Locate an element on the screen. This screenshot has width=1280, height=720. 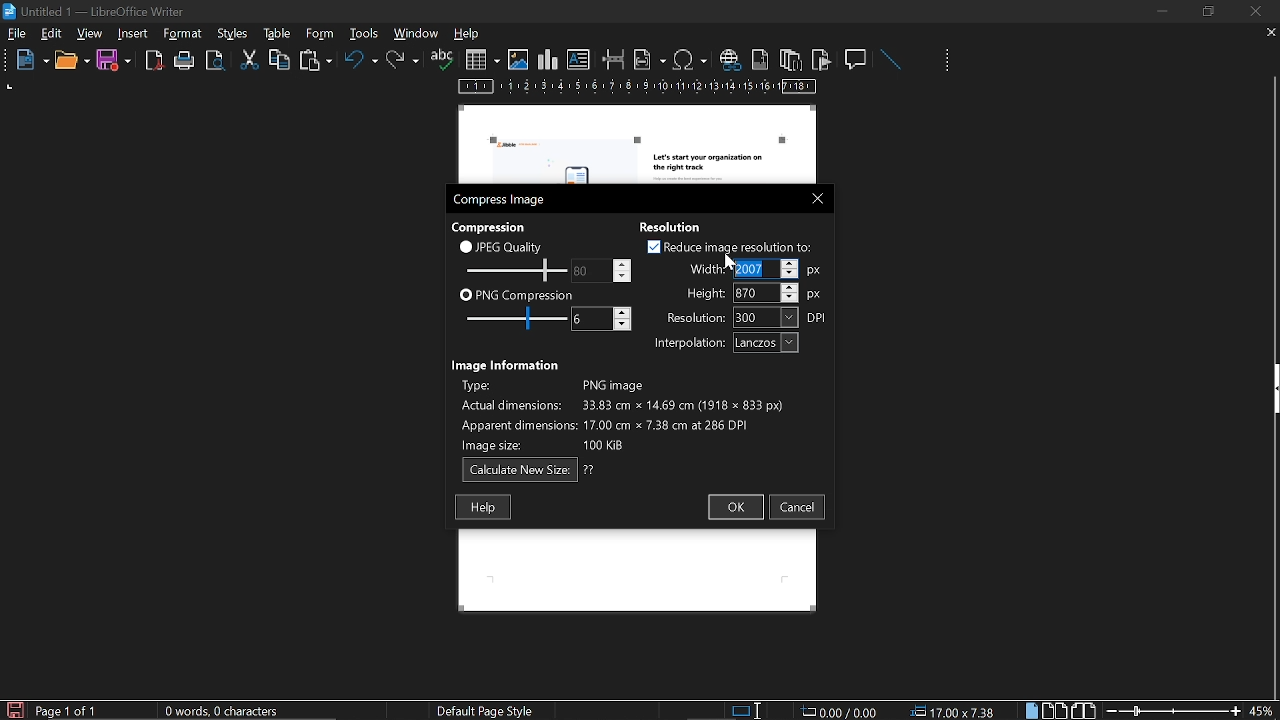
jpeg quality scale is located at coordinates (513, 269).